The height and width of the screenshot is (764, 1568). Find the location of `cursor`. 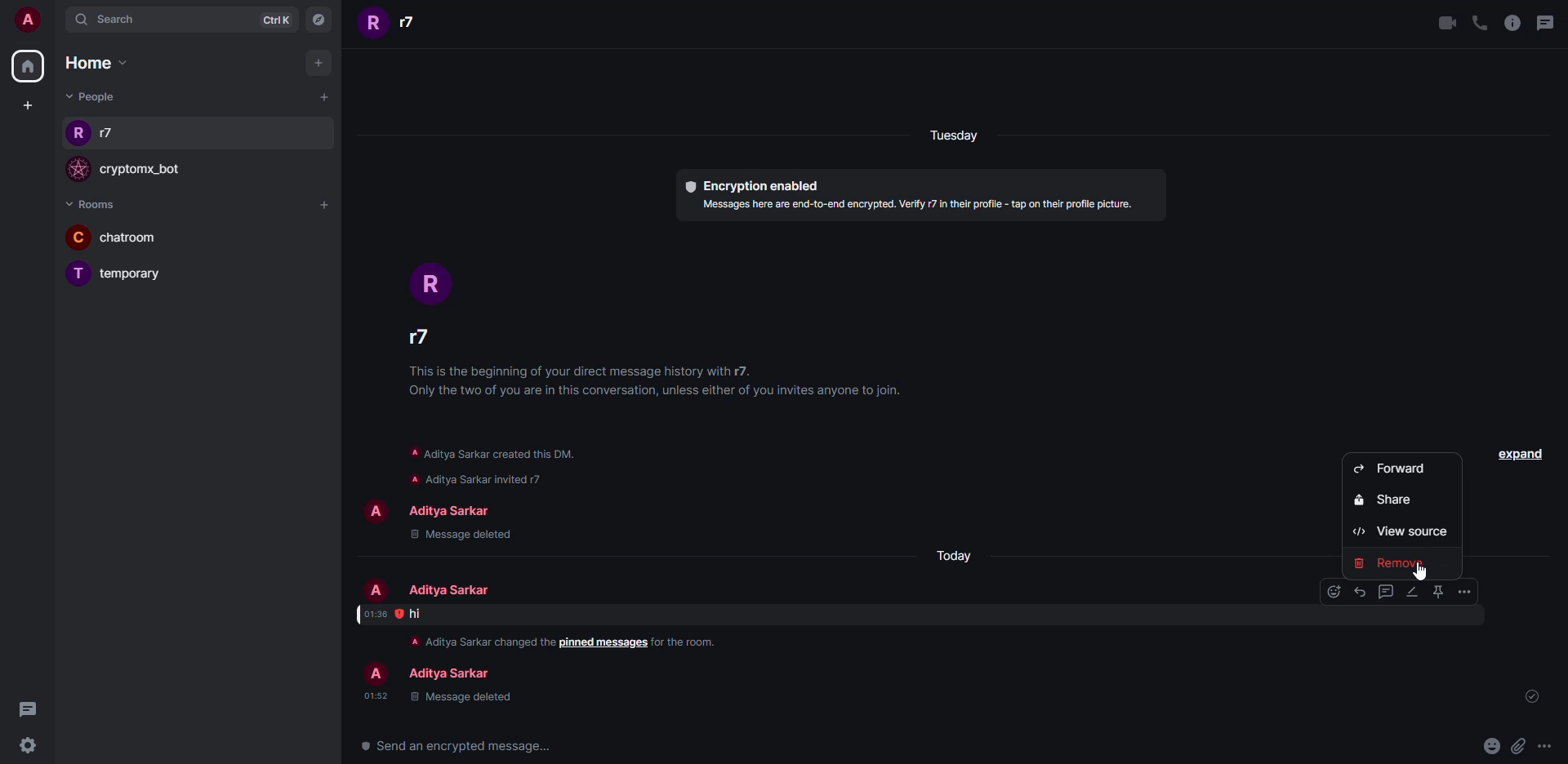

cursor is located at coordinates (1432, 575).